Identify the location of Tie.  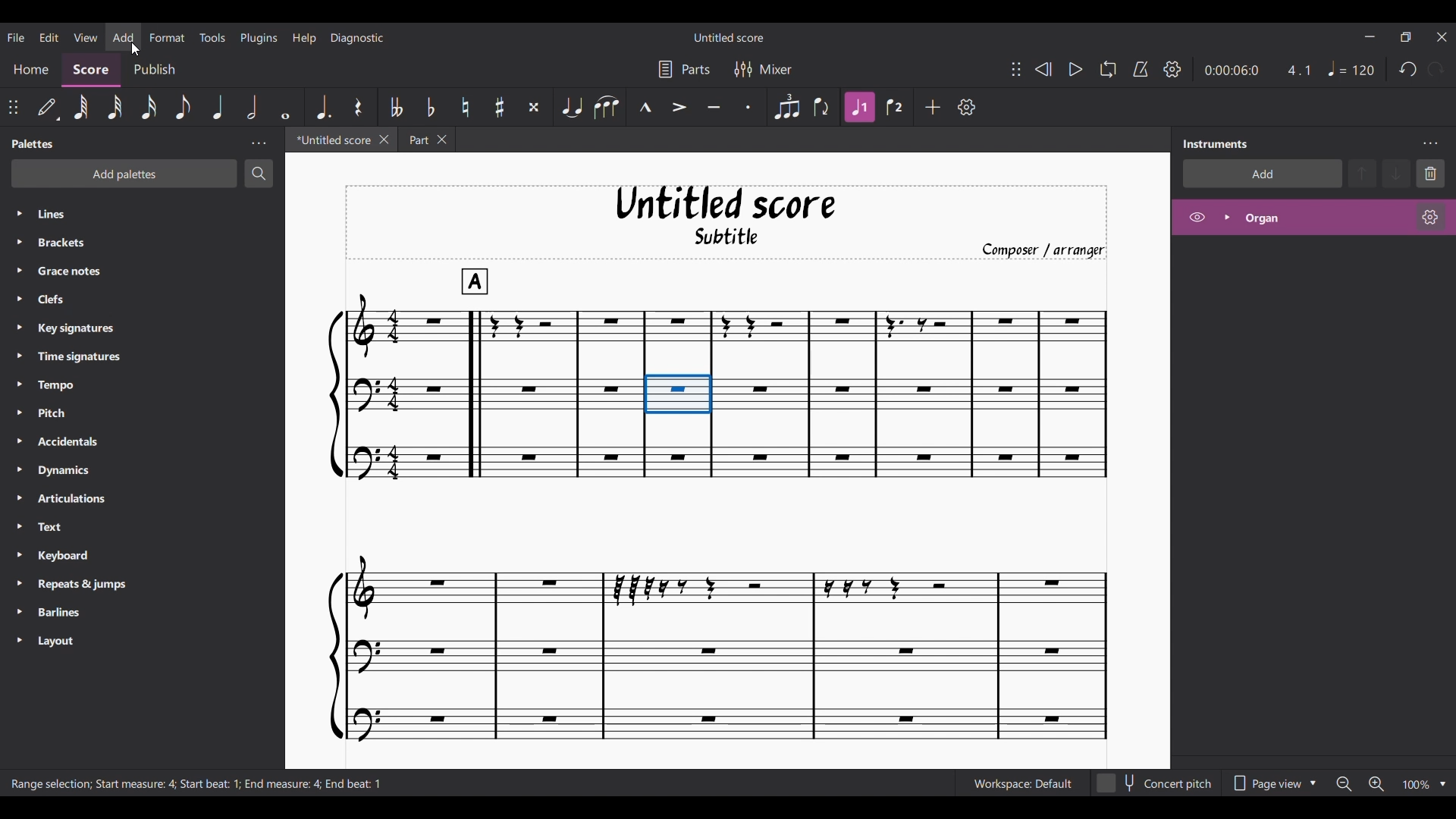
(572, 108).